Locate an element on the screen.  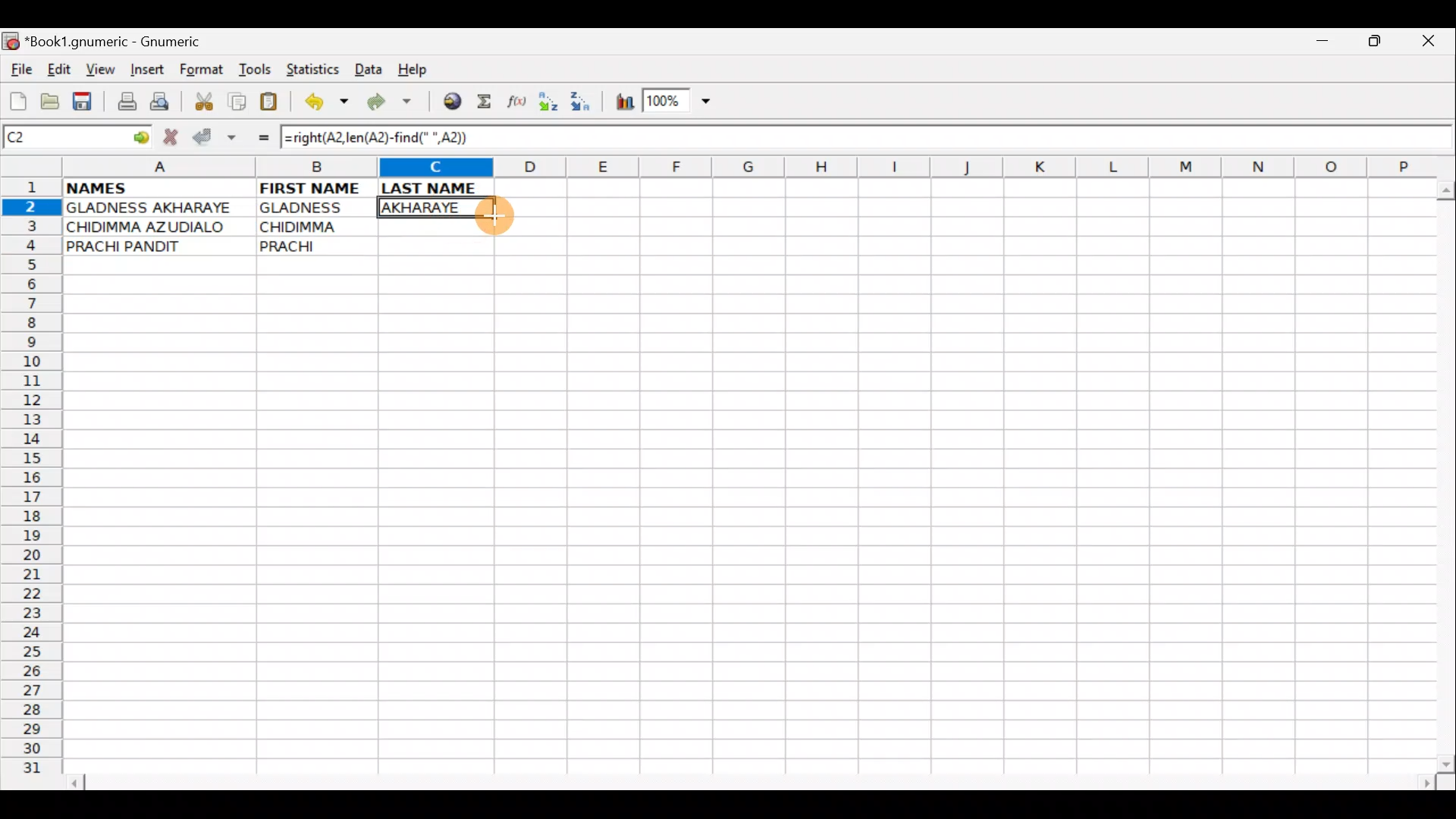
=right(A2, len(A2)-find(" ", A2)) is located at coordinates (381, 137).